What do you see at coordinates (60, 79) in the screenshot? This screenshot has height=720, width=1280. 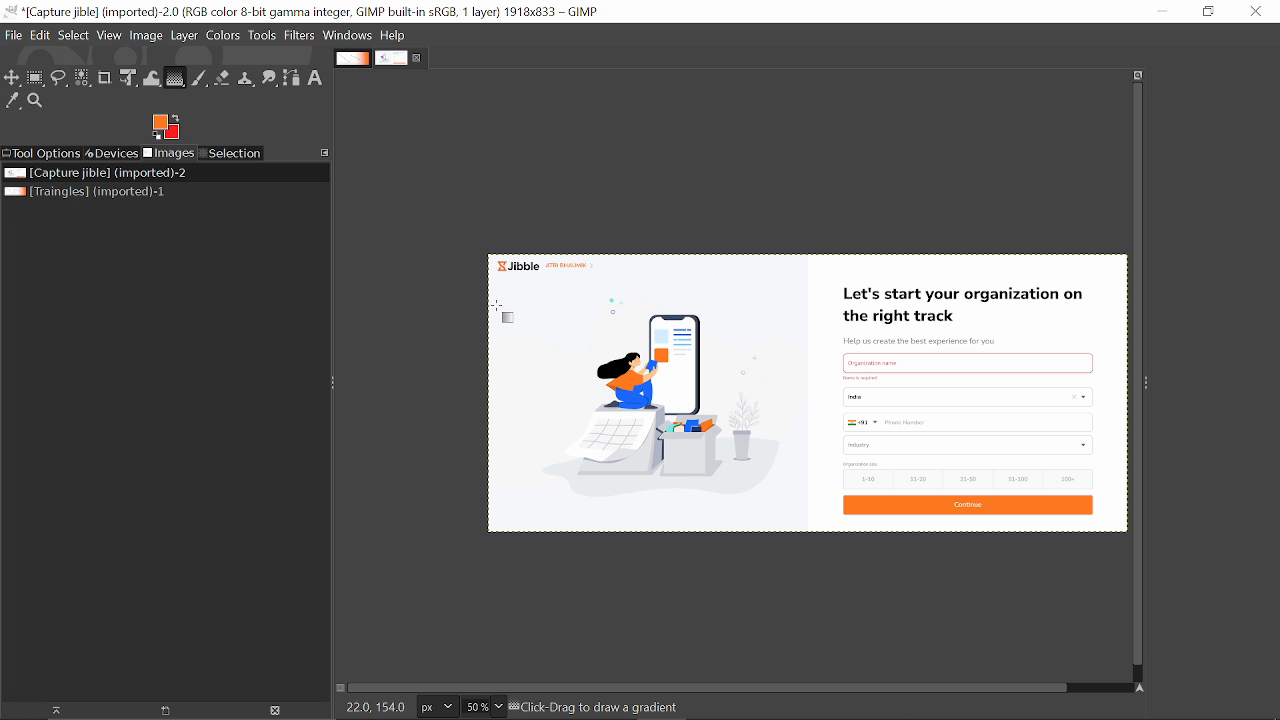 I see `Free select tool` at bounding box center [60, 79].